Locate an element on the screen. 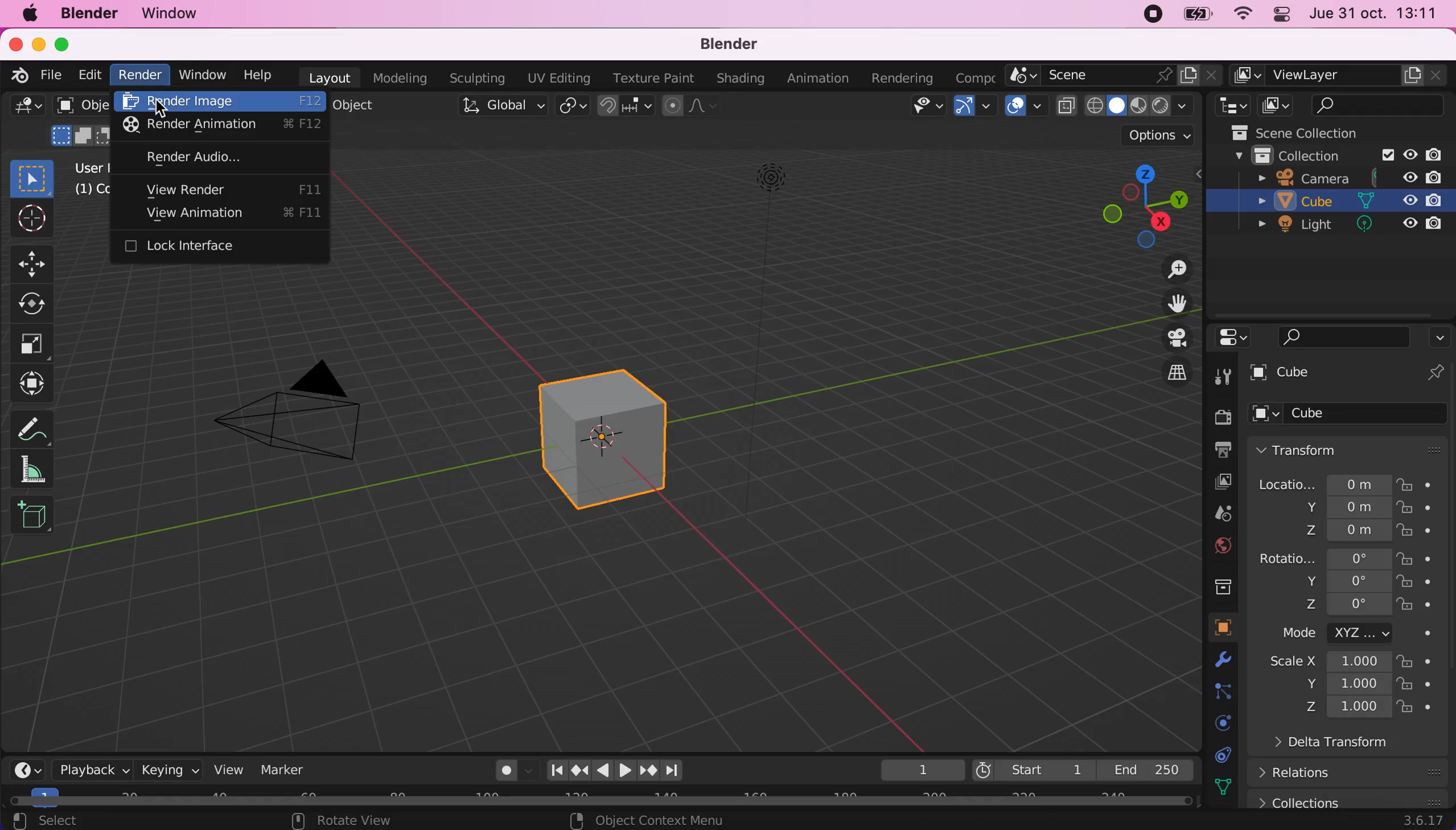  select is located at coordinates (85, 820).